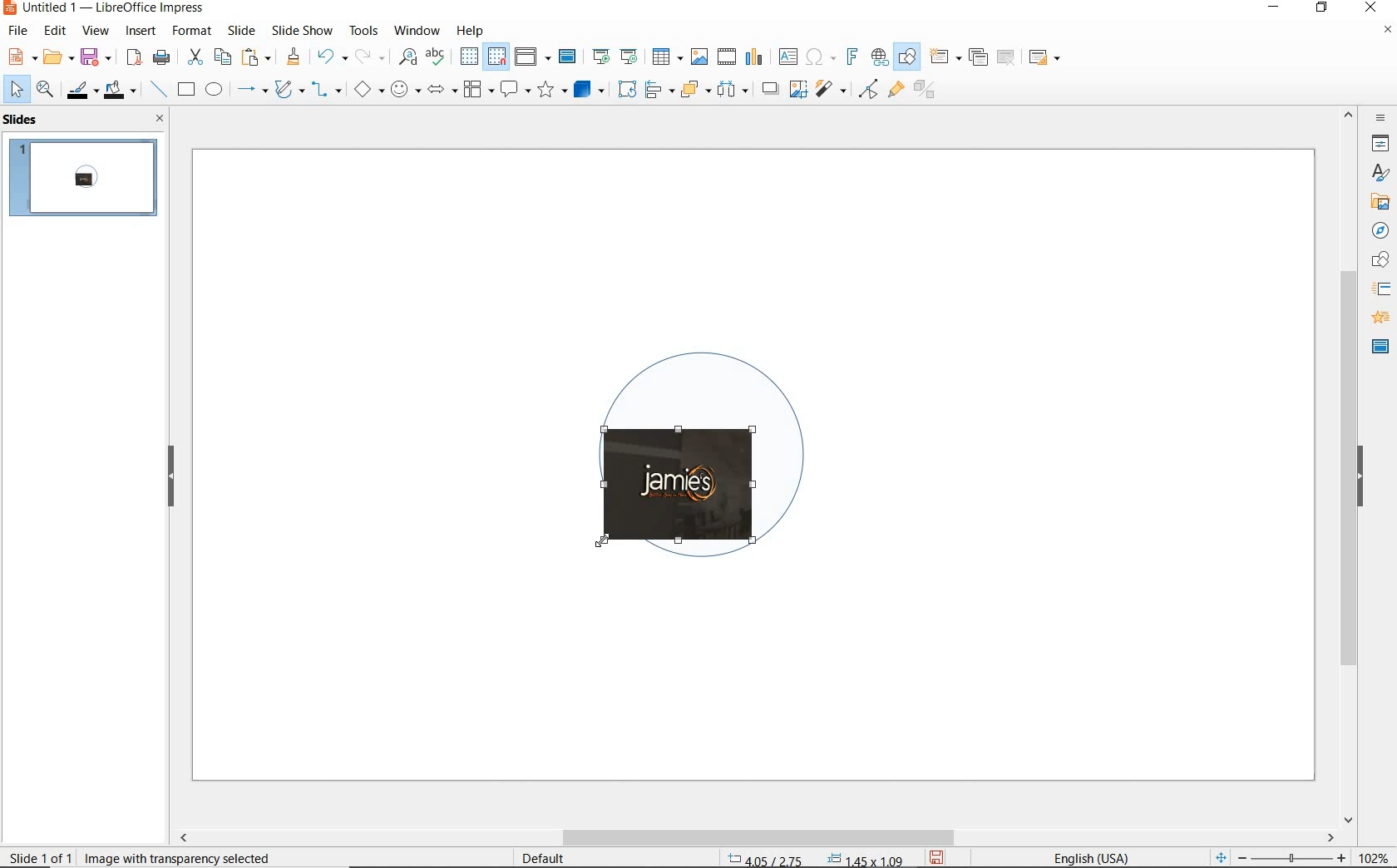  What do you see at coordinates (797, 87) in the screenshot?
I see `crop image` at bounding box center [797, 87].